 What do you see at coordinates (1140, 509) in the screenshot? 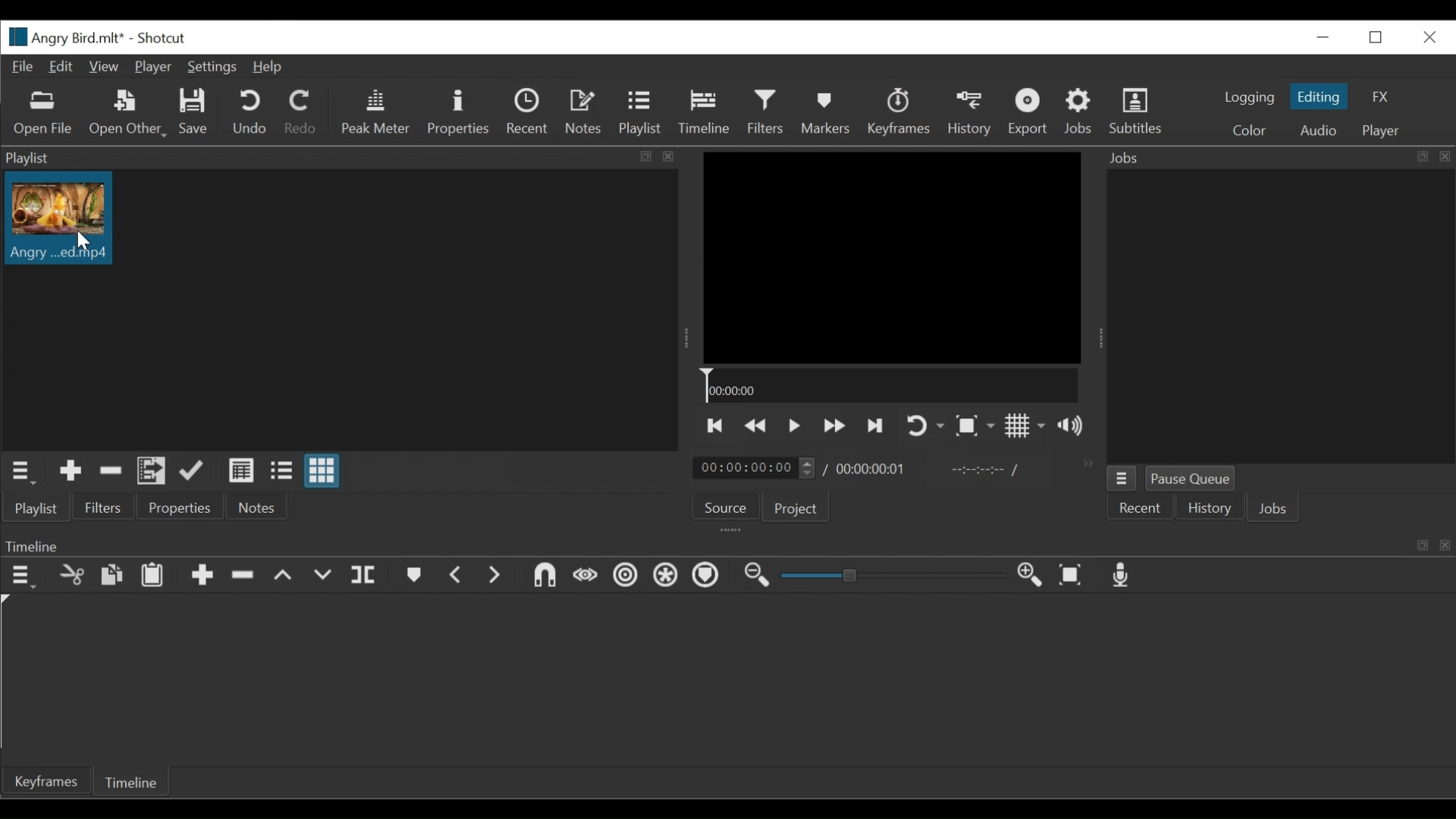
I see `Recent` at bounding box center [1140, 509].